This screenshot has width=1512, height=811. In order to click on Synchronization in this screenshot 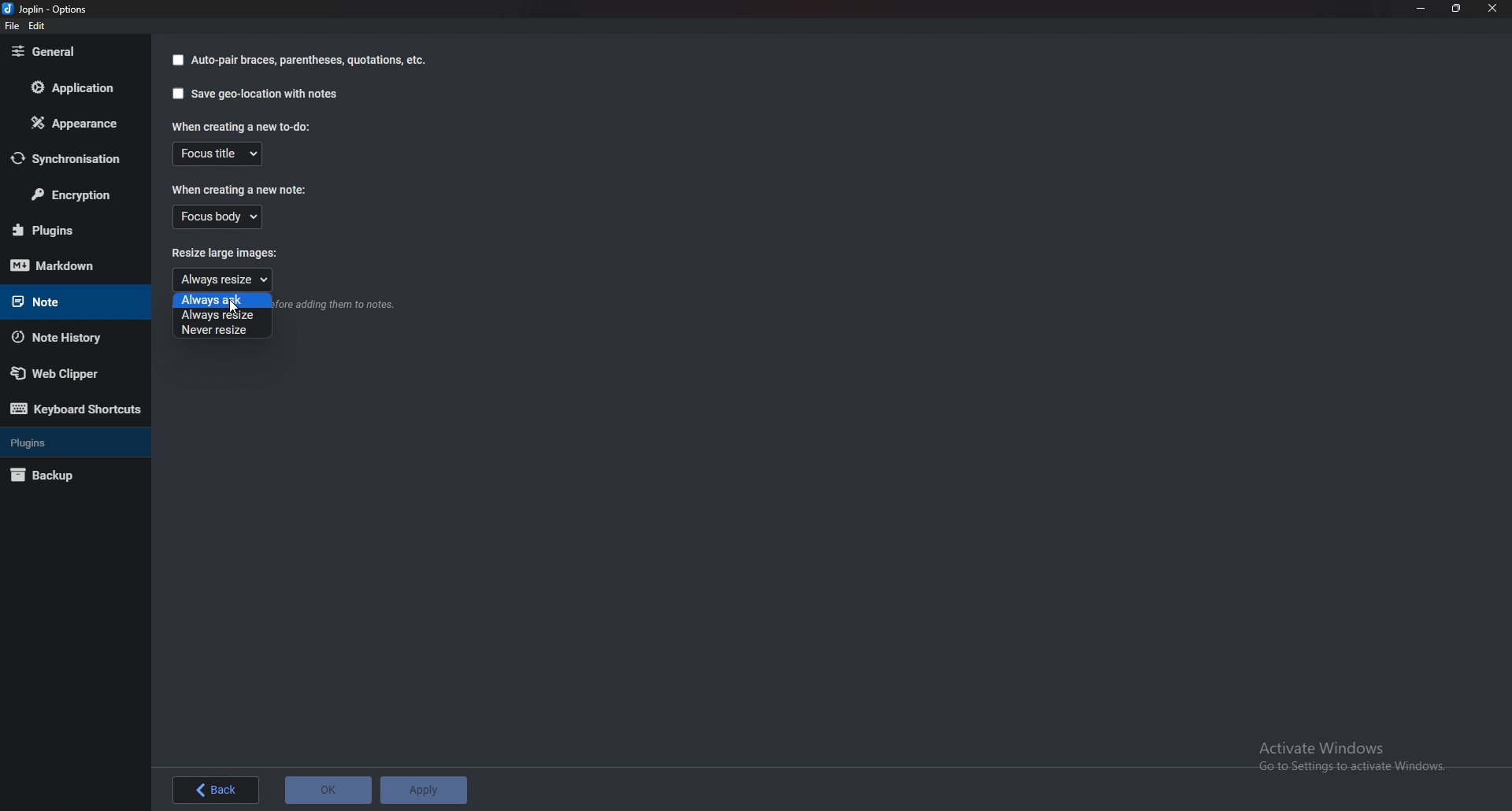, I will do `click(73, 158)`.